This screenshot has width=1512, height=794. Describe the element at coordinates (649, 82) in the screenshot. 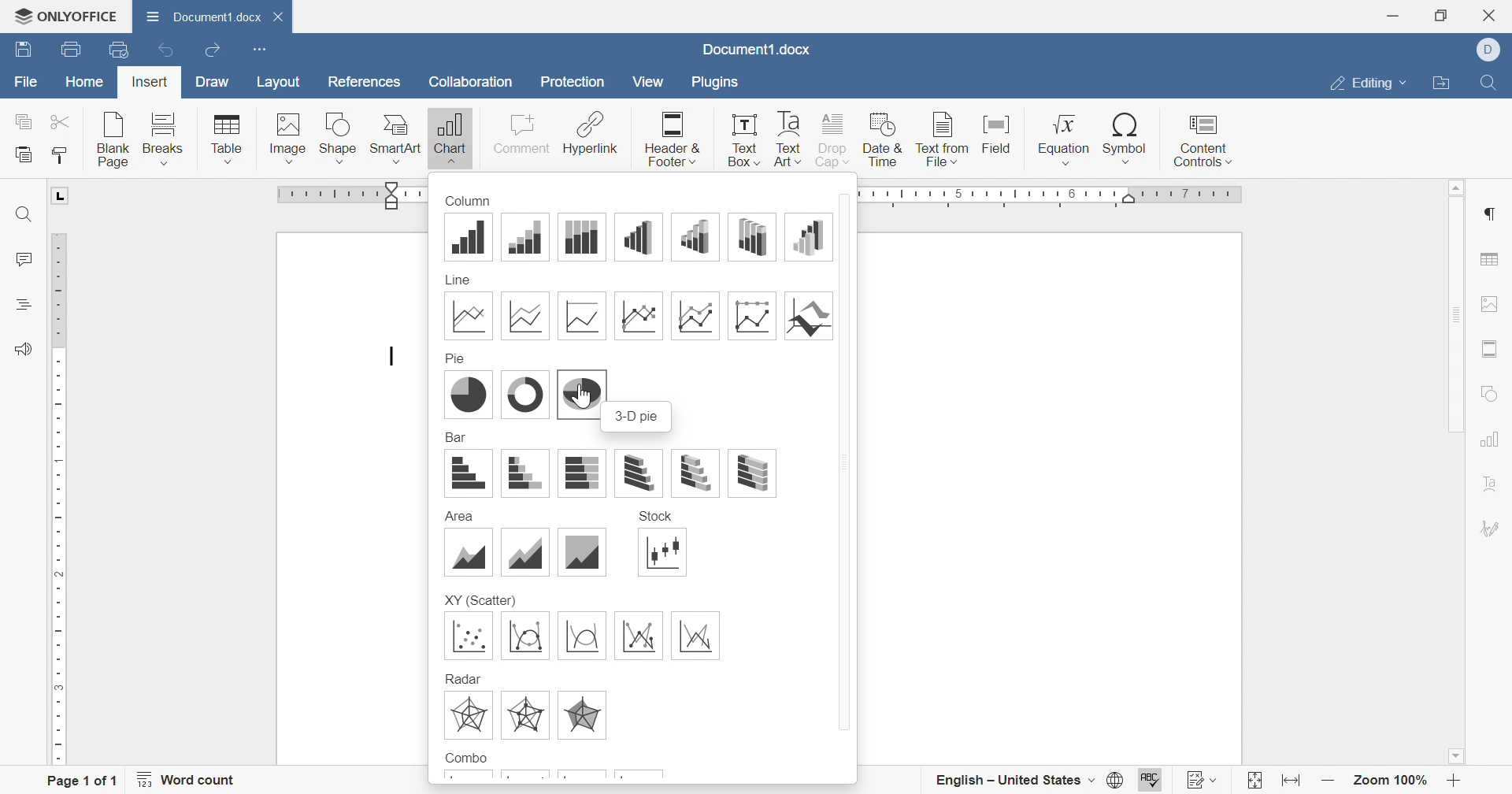

I see `View` at that location.